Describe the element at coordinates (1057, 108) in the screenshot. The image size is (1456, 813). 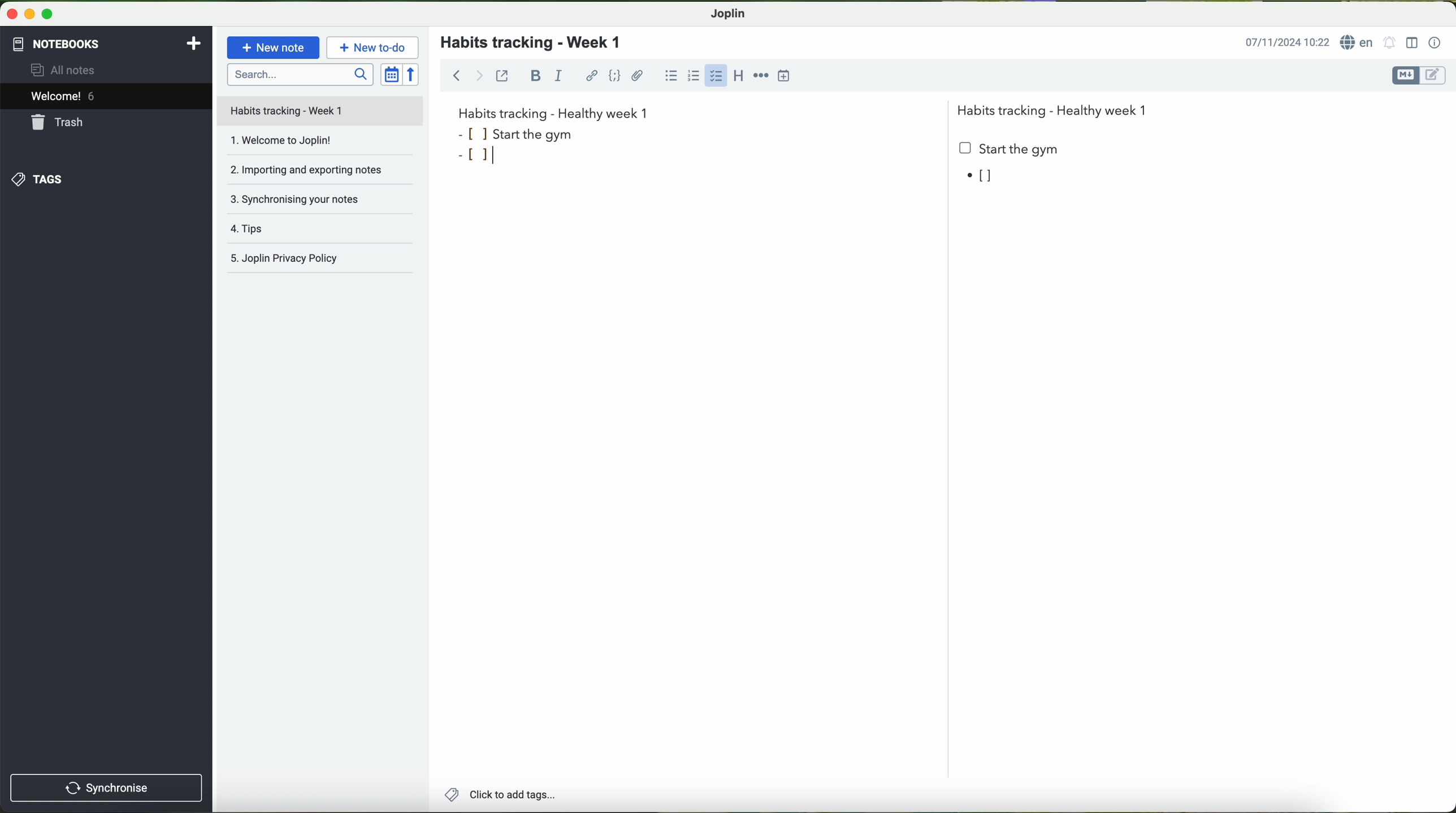
I see `Habits tracking - Healthy week 1` at that location.